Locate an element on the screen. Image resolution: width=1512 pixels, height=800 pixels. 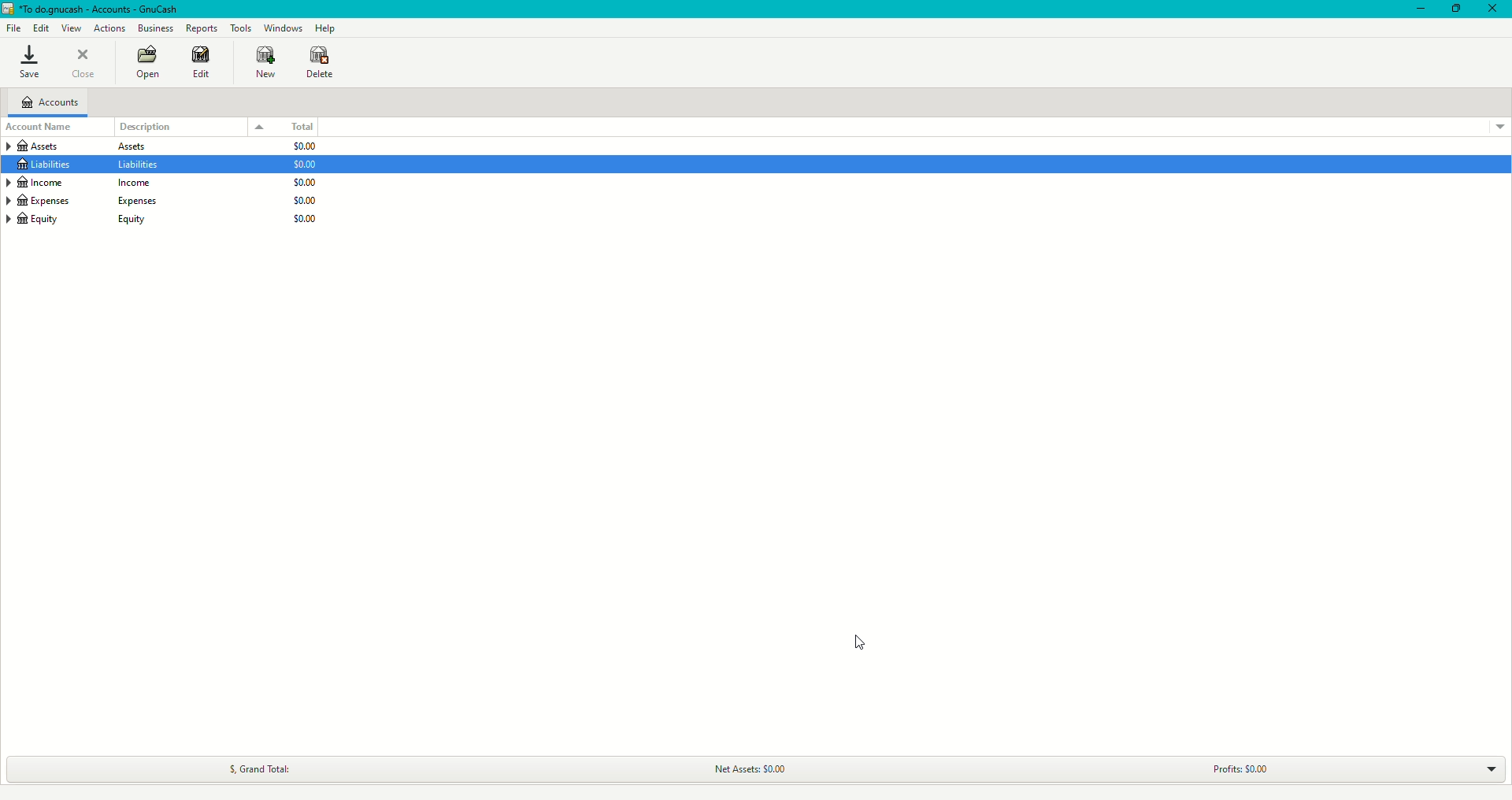
Actions is located at coordinates (108, 27).